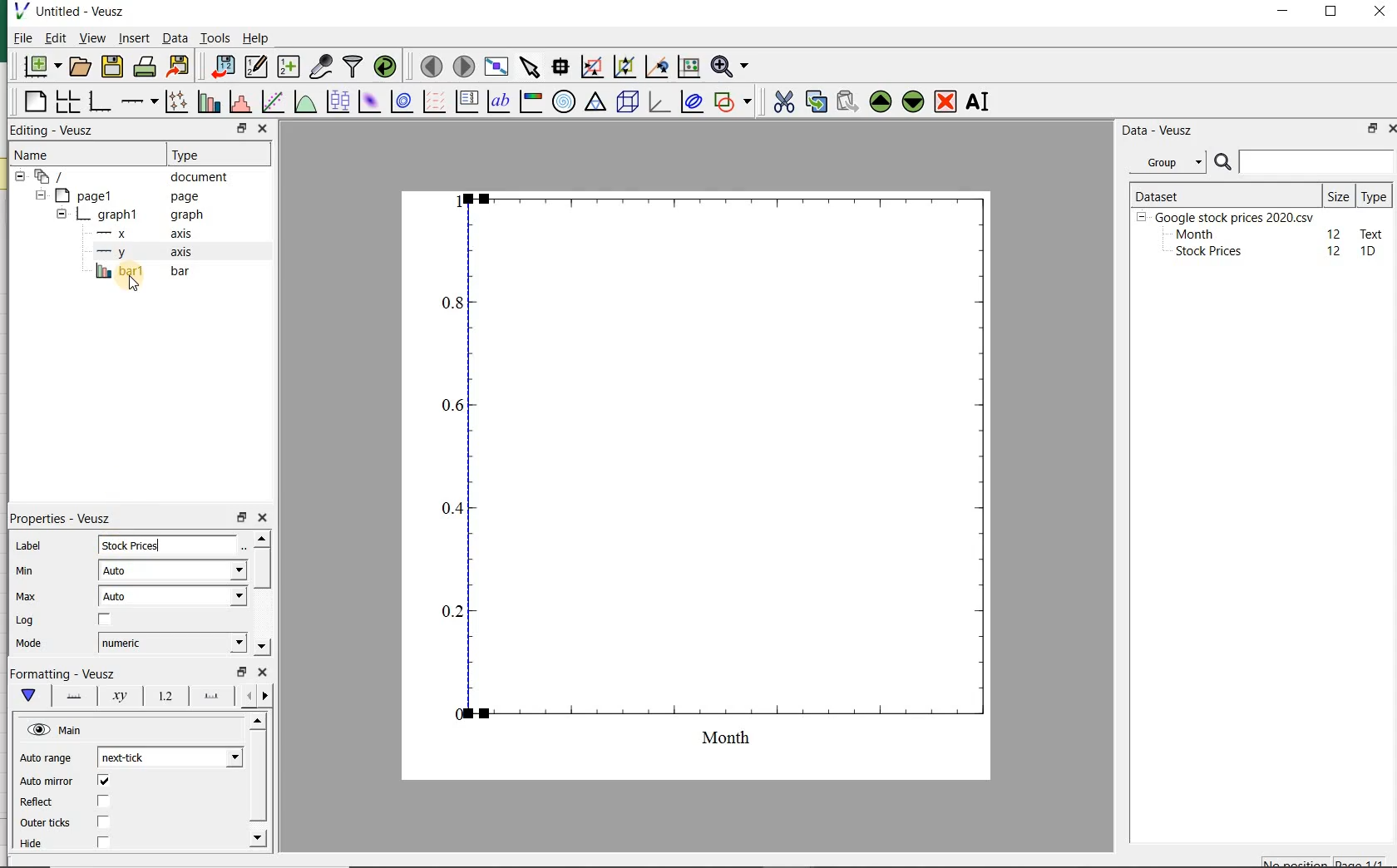 The height and width of the screenshot is (868, 1397). Describe the element at coordinates (399, 103) in the screenshot. I see `plot a 2d dataset as contours` at that location.